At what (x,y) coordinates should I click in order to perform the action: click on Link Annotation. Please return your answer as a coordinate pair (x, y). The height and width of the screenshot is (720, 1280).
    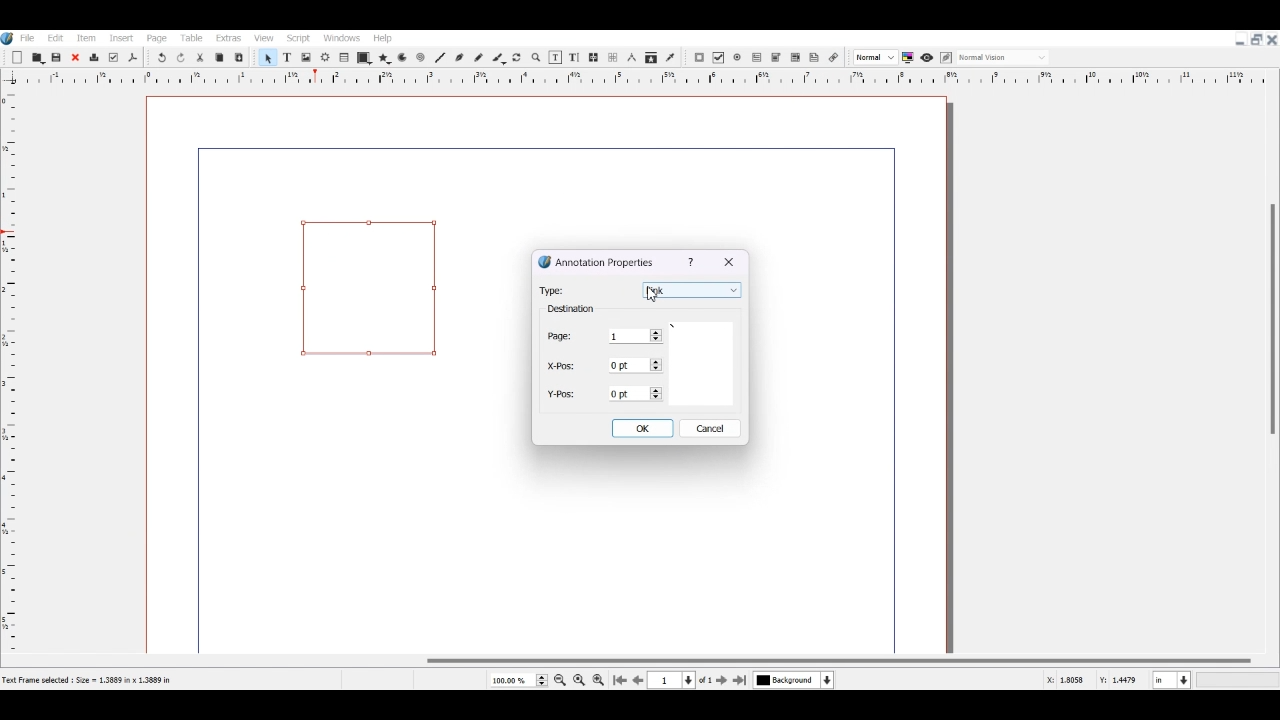
    Looking at the image, I should click on (833, 56).